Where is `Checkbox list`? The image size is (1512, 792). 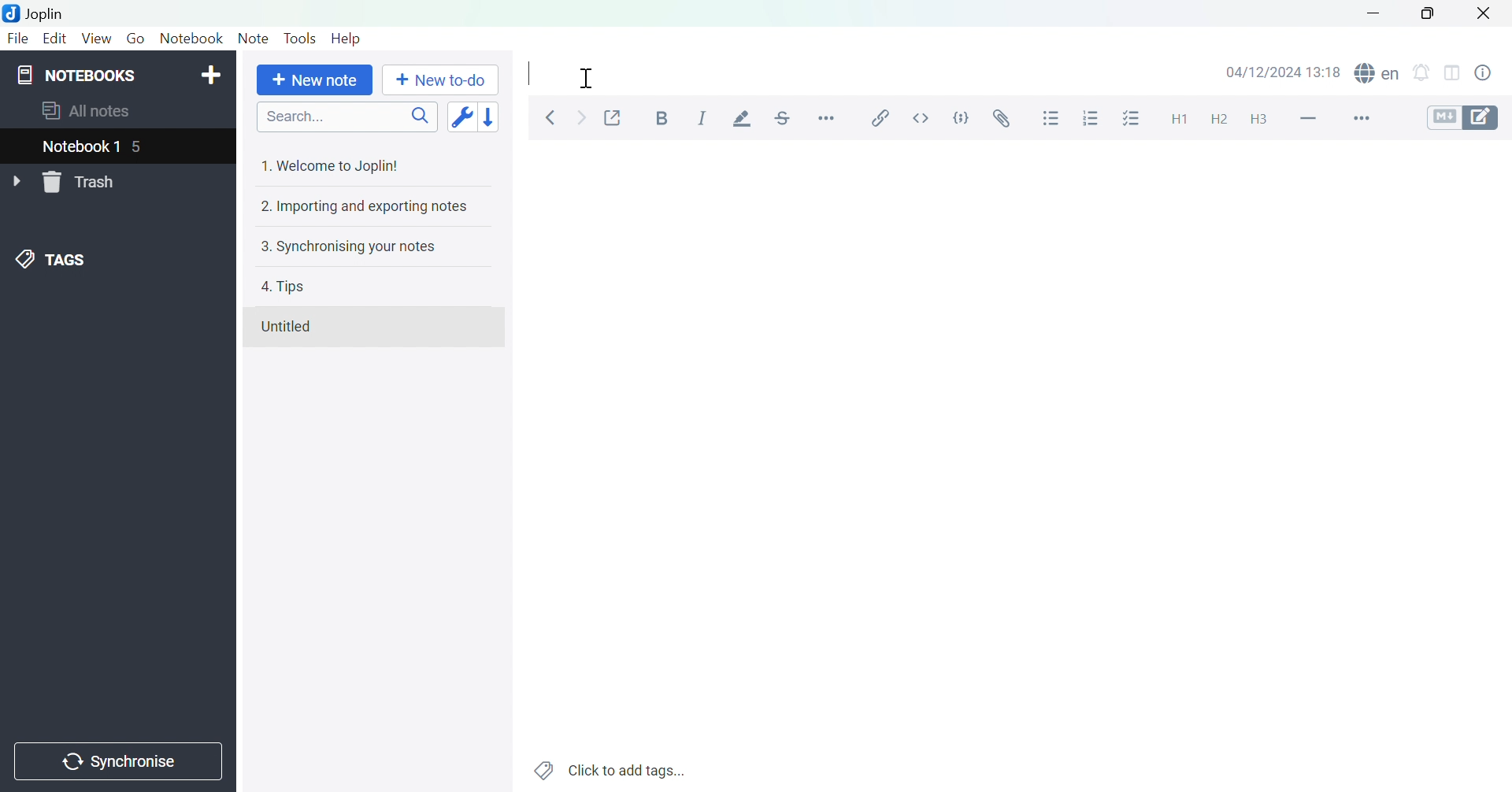
Checkbox list is located at coordinates (1128, 120).